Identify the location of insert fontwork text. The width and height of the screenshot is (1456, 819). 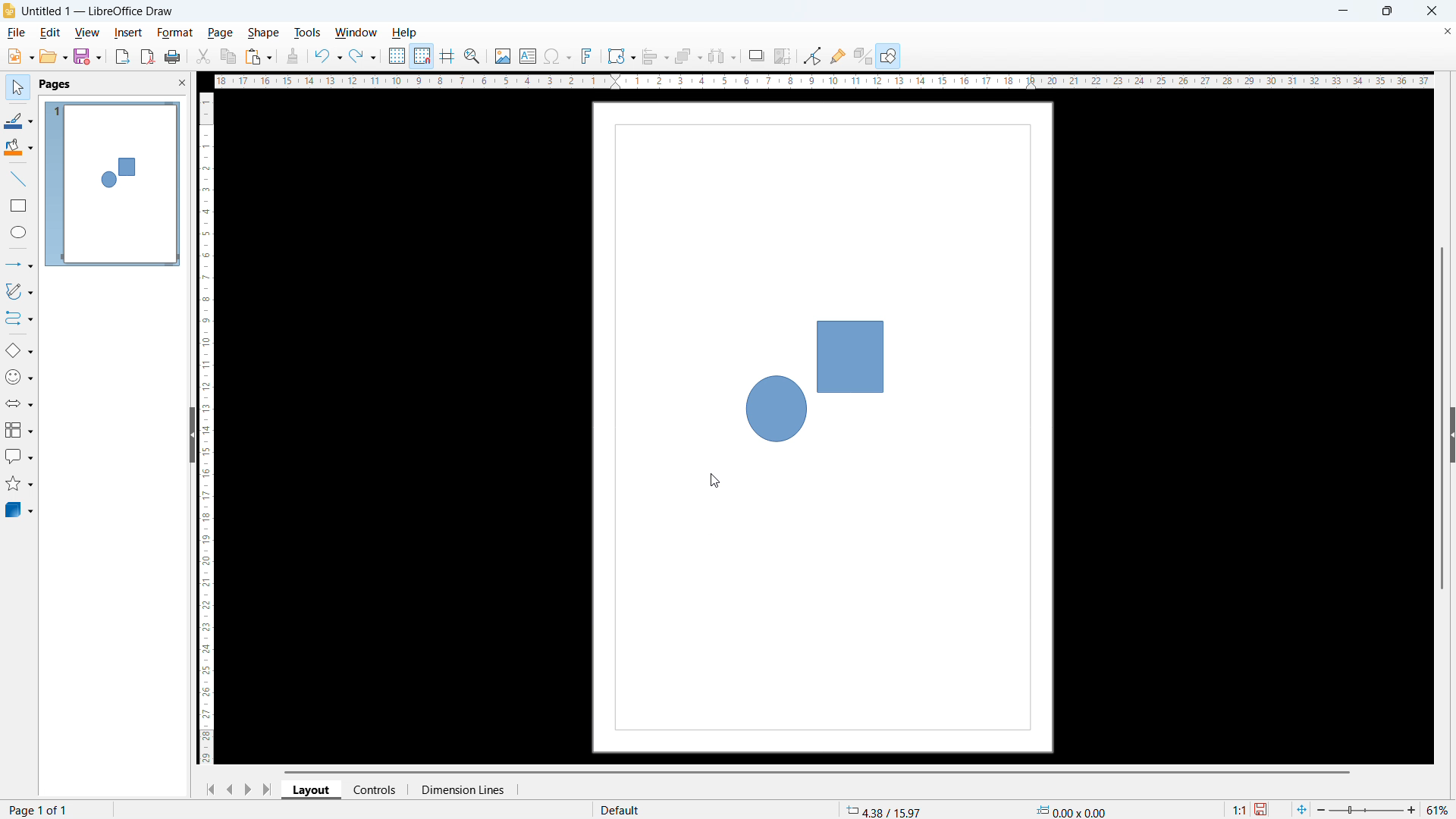
(588, 57).